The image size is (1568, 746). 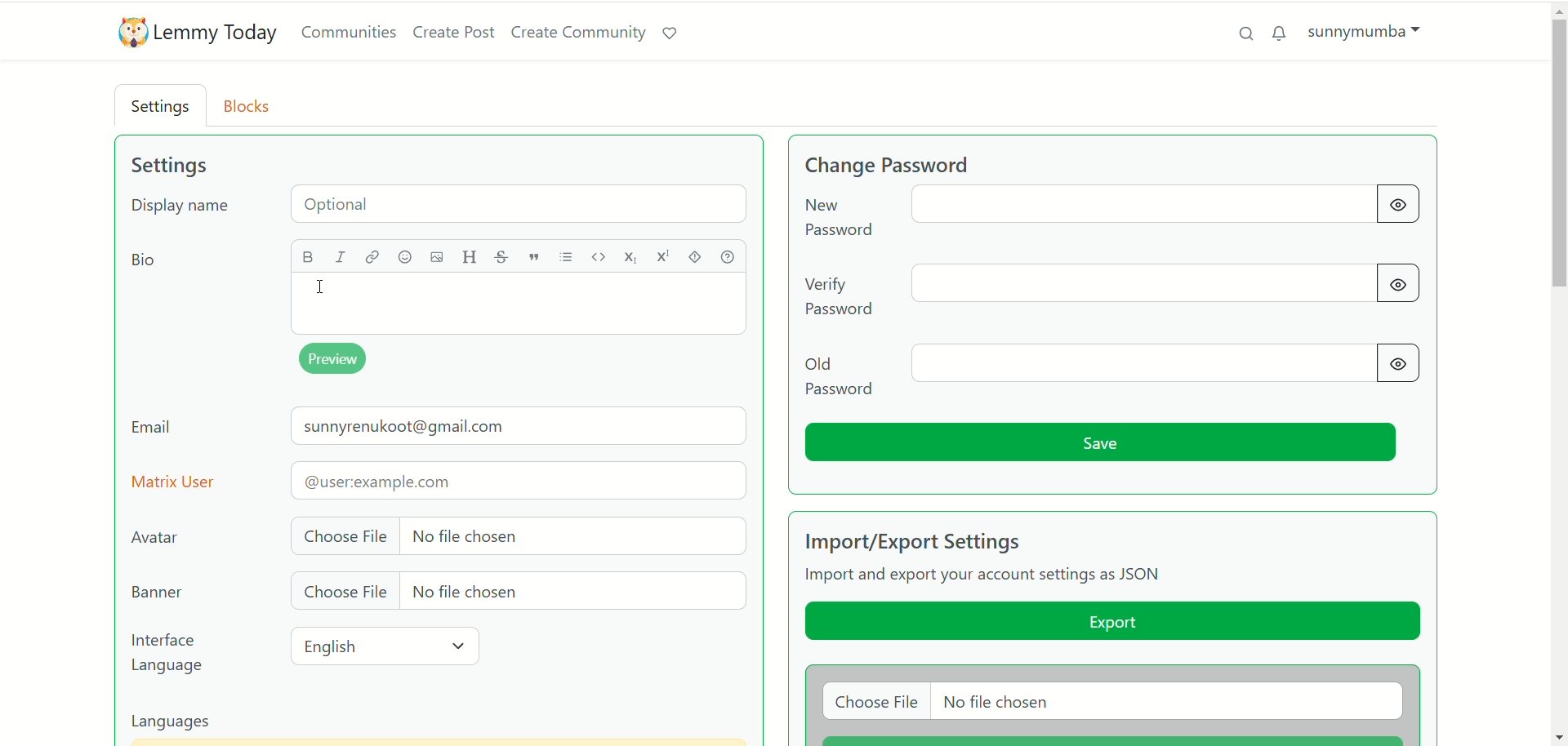 I want to click on image, so click(x=432, y=258).